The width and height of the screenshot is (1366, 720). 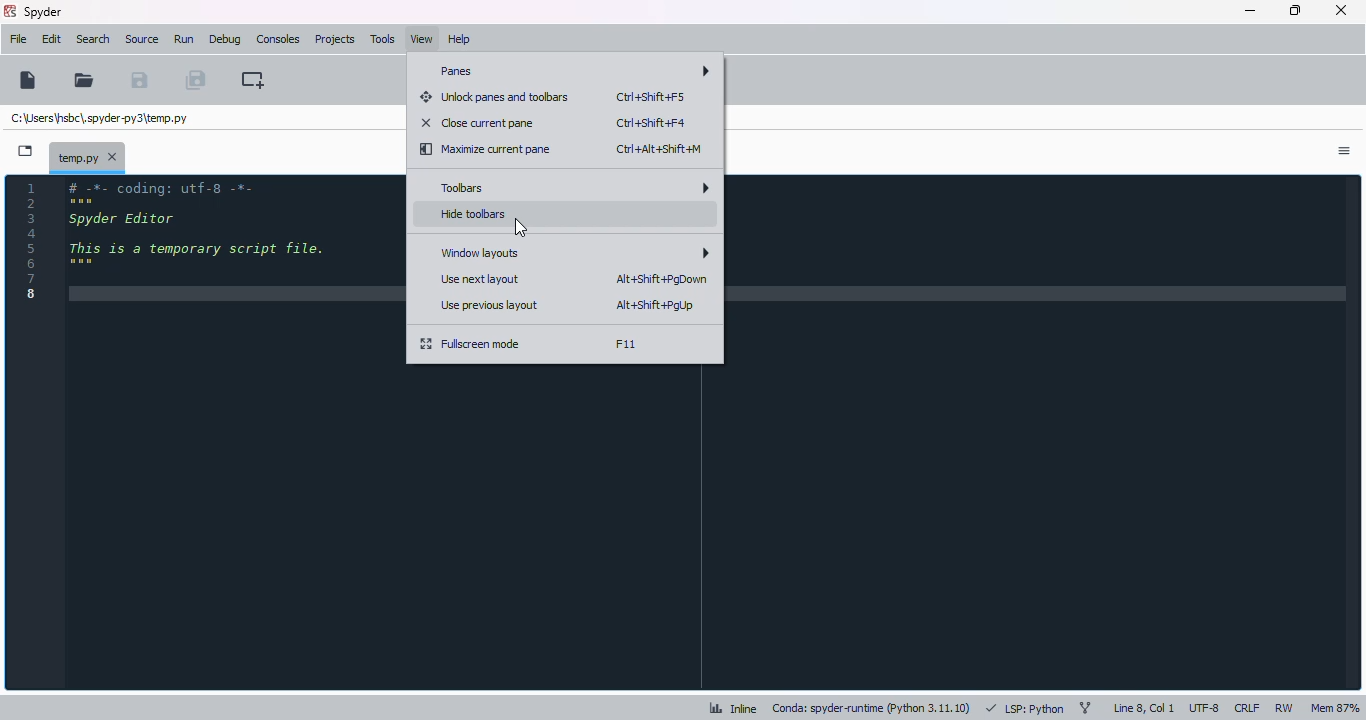 What do you see at coordinates (657, 306) in the screenshot?
I see `shortcut for use previous layout` at bounding box center [657, 306].